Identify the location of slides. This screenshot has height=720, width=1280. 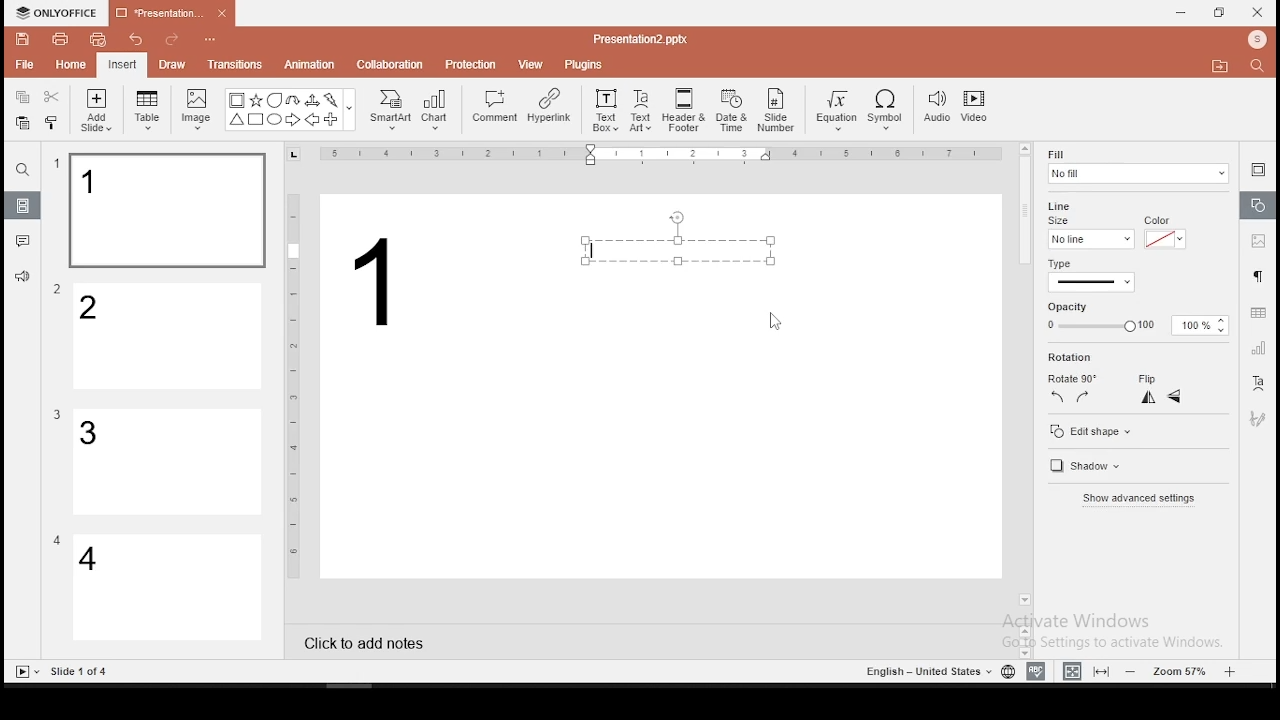
(24, 206).